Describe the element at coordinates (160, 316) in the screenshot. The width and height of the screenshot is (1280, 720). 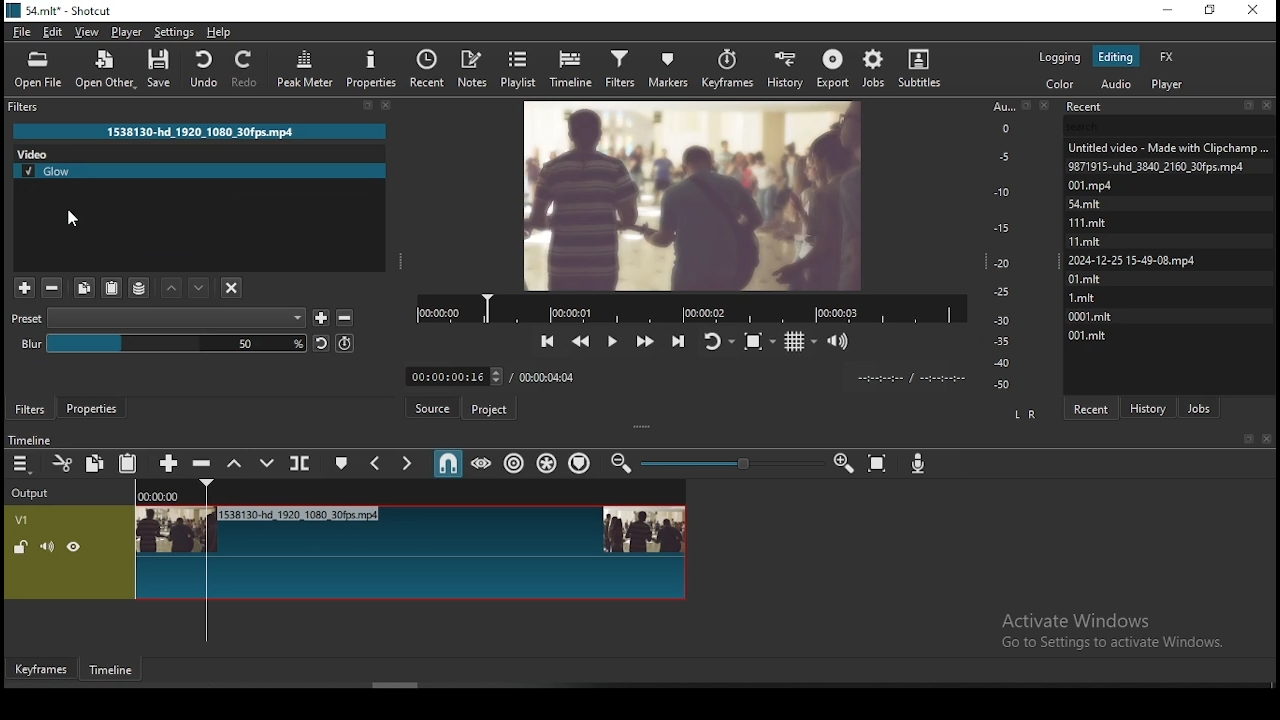
I see `preset` at that location.